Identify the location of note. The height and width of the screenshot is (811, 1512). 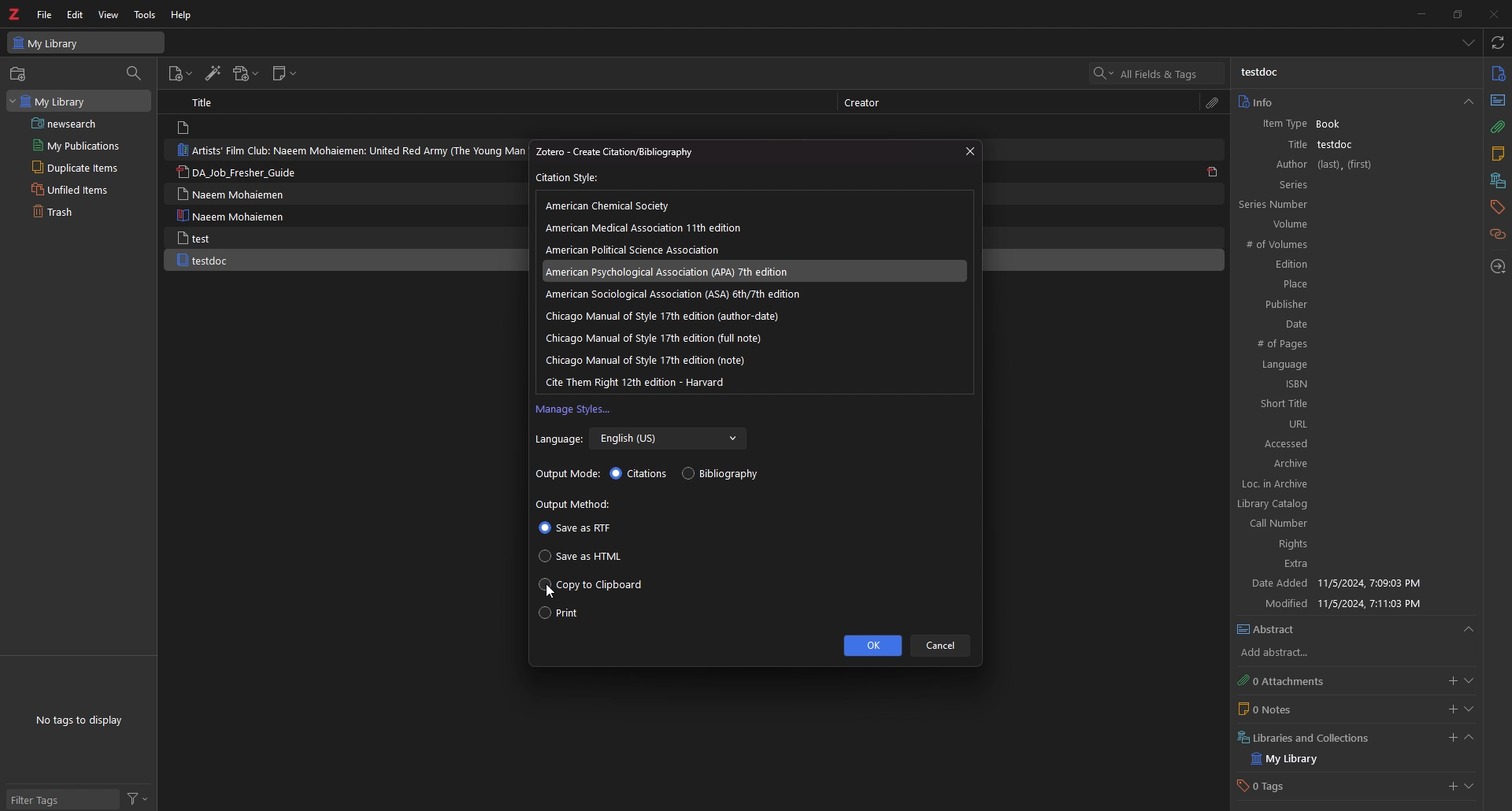
(1497, 156).